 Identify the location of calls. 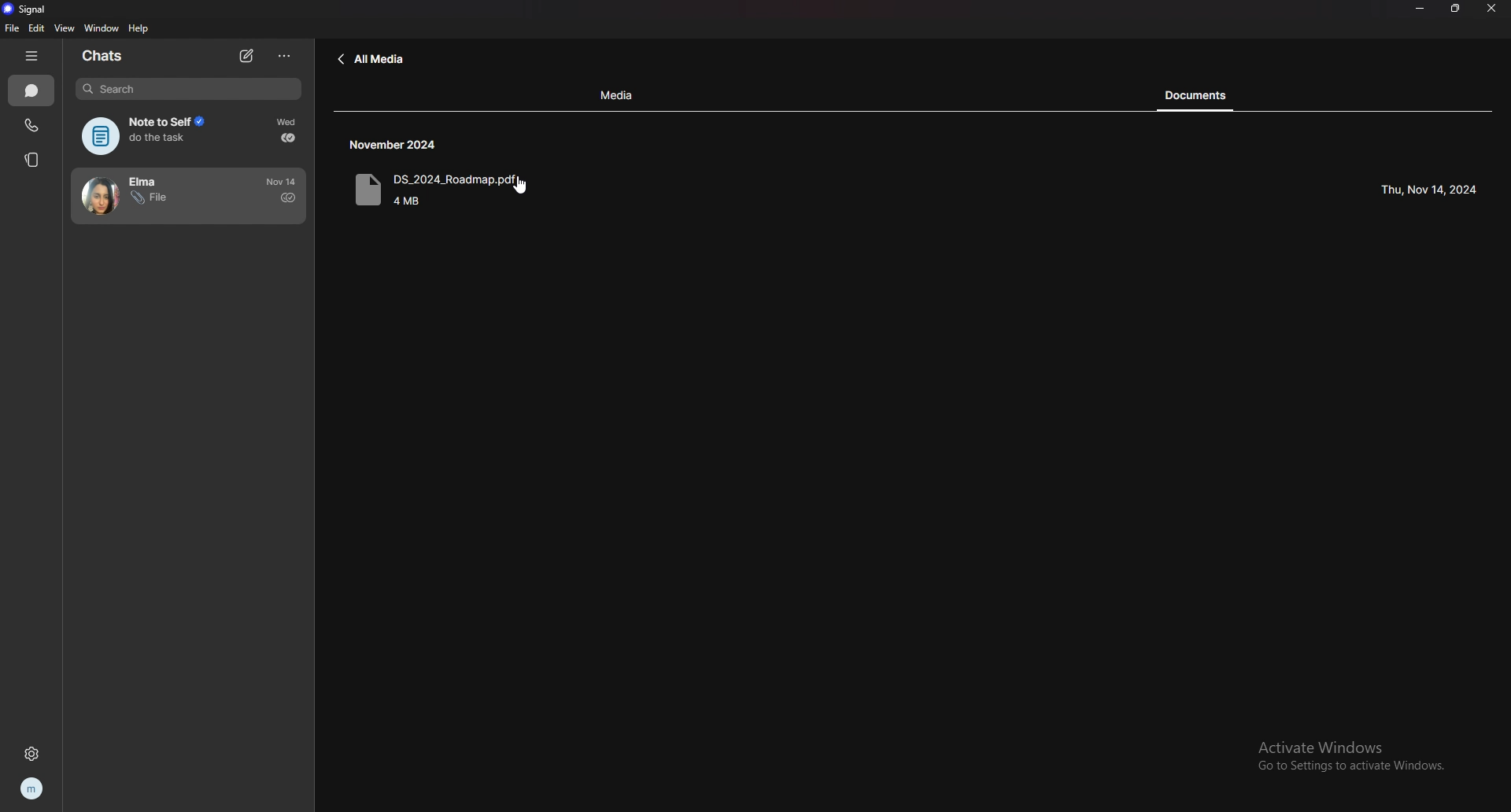
(32, 126).